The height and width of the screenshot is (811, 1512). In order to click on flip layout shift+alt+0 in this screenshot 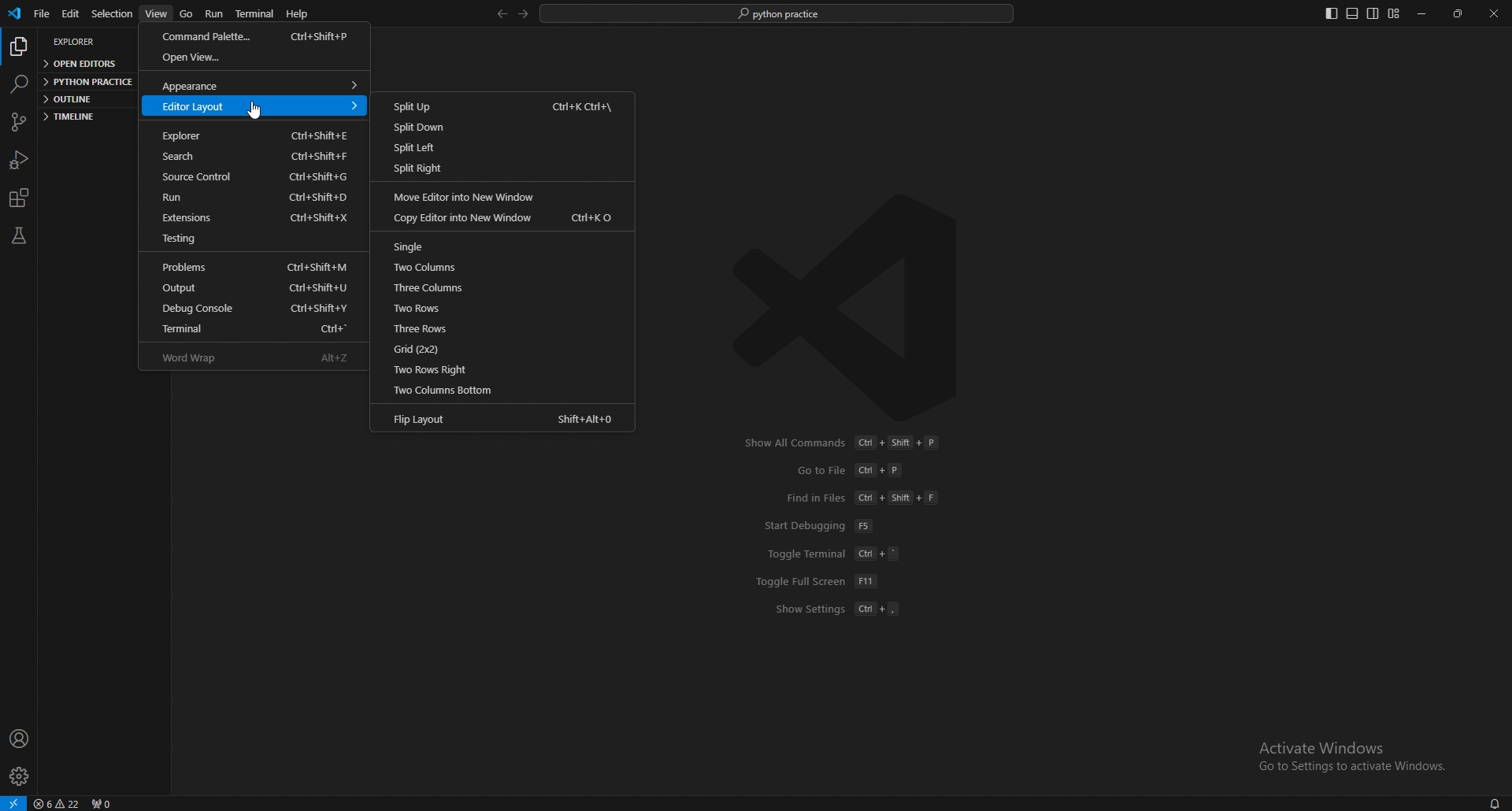, I will do `click(501, 418)`.